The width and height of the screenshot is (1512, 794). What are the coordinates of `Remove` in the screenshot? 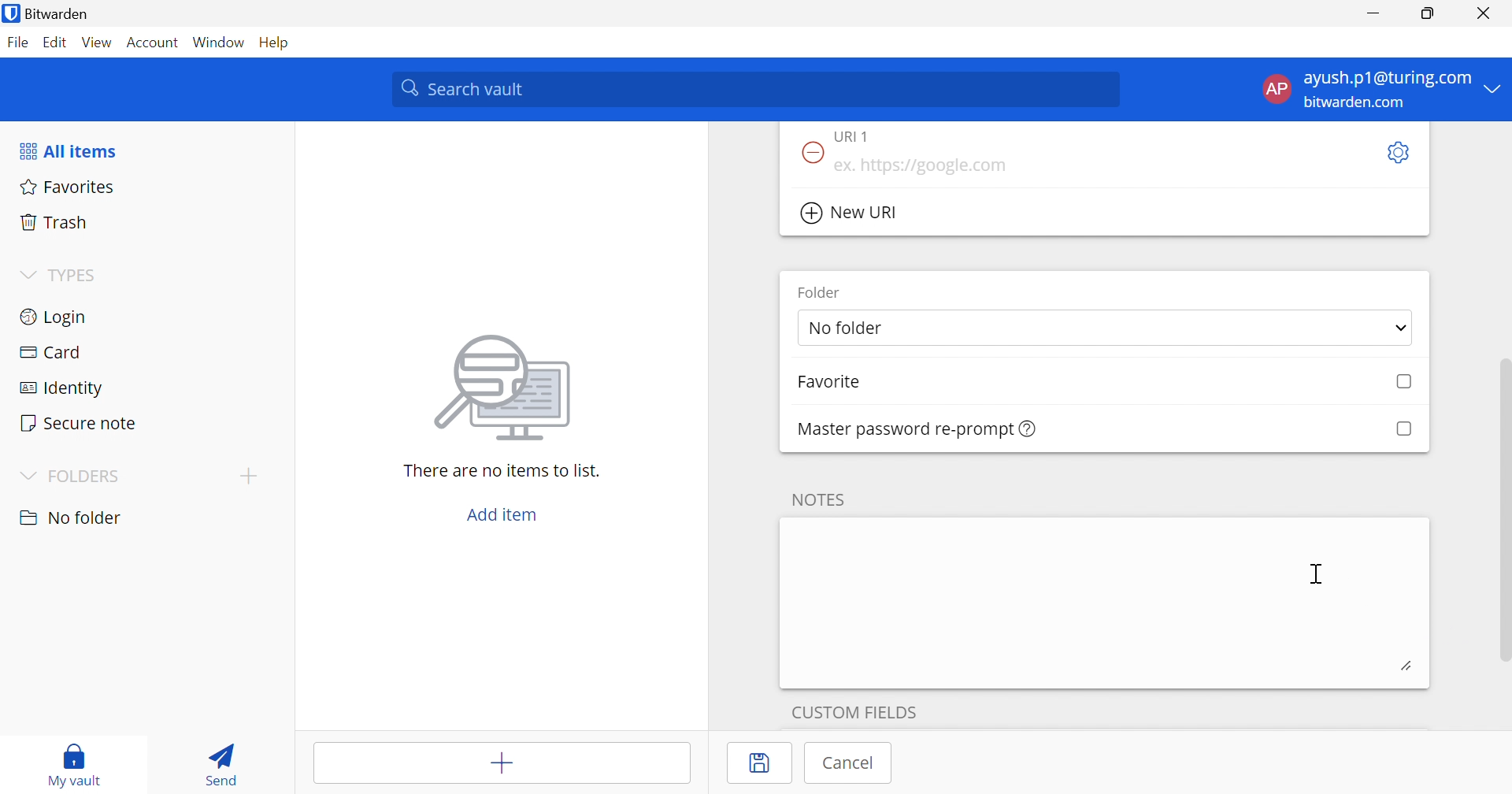 It's located at (810, 154).